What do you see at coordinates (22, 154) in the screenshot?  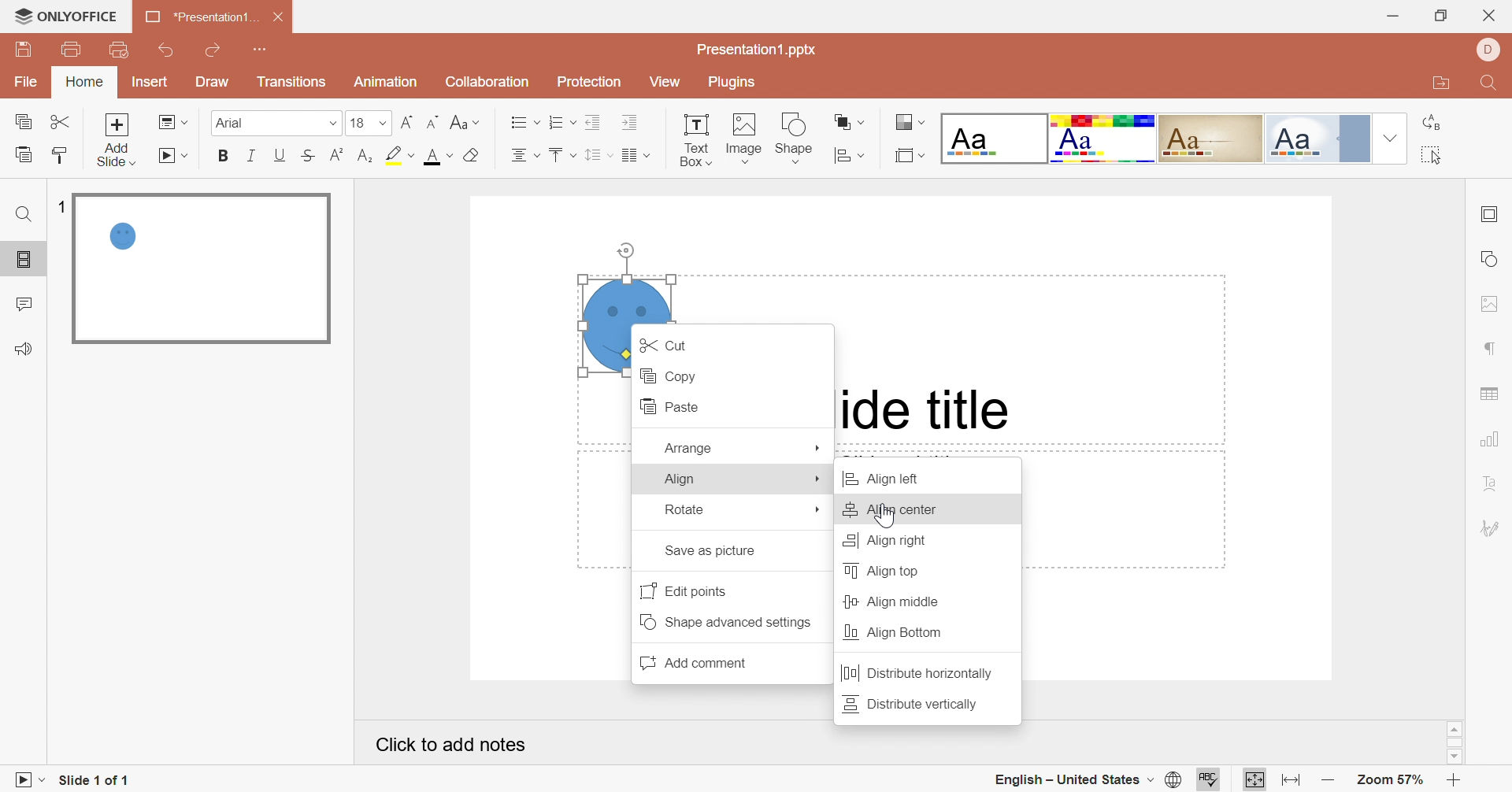 I see `Paste` at bounding box center [22, 154].